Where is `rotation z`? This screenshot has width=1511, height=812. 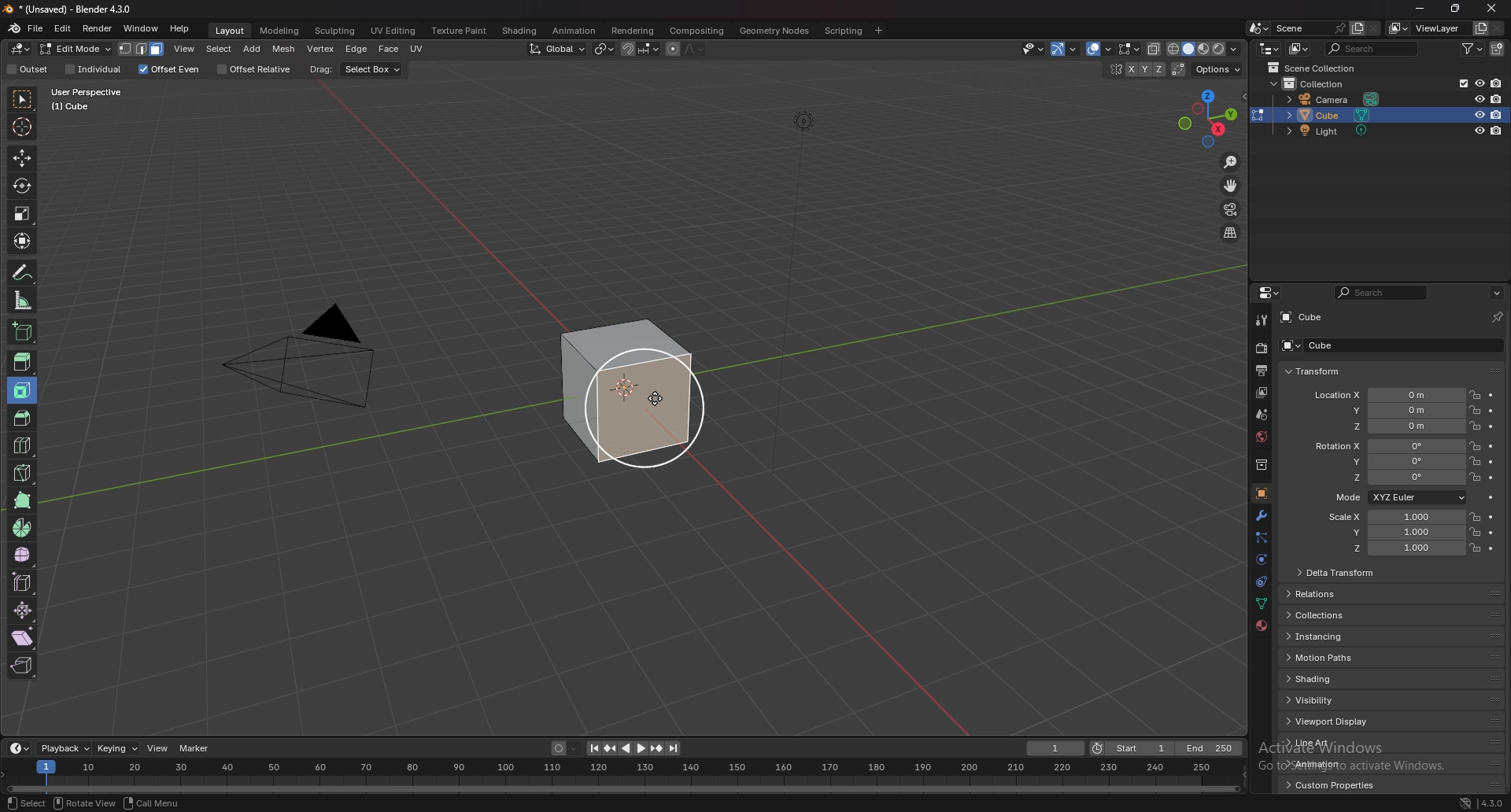
rotation z is located at coordinates (1394, 478).